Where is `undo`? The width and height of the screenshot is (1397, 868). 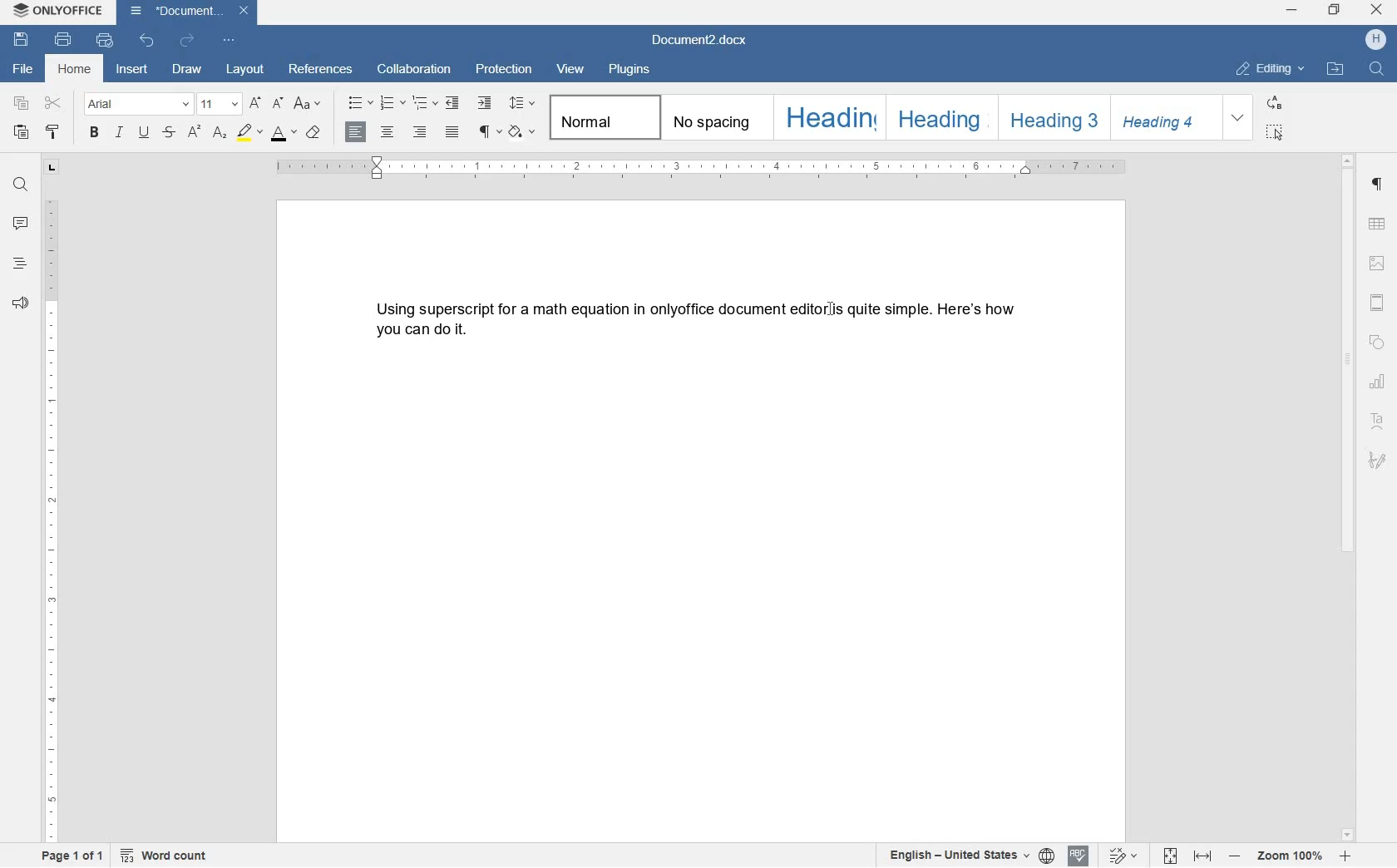 undo is located at coordinates (147, 40).